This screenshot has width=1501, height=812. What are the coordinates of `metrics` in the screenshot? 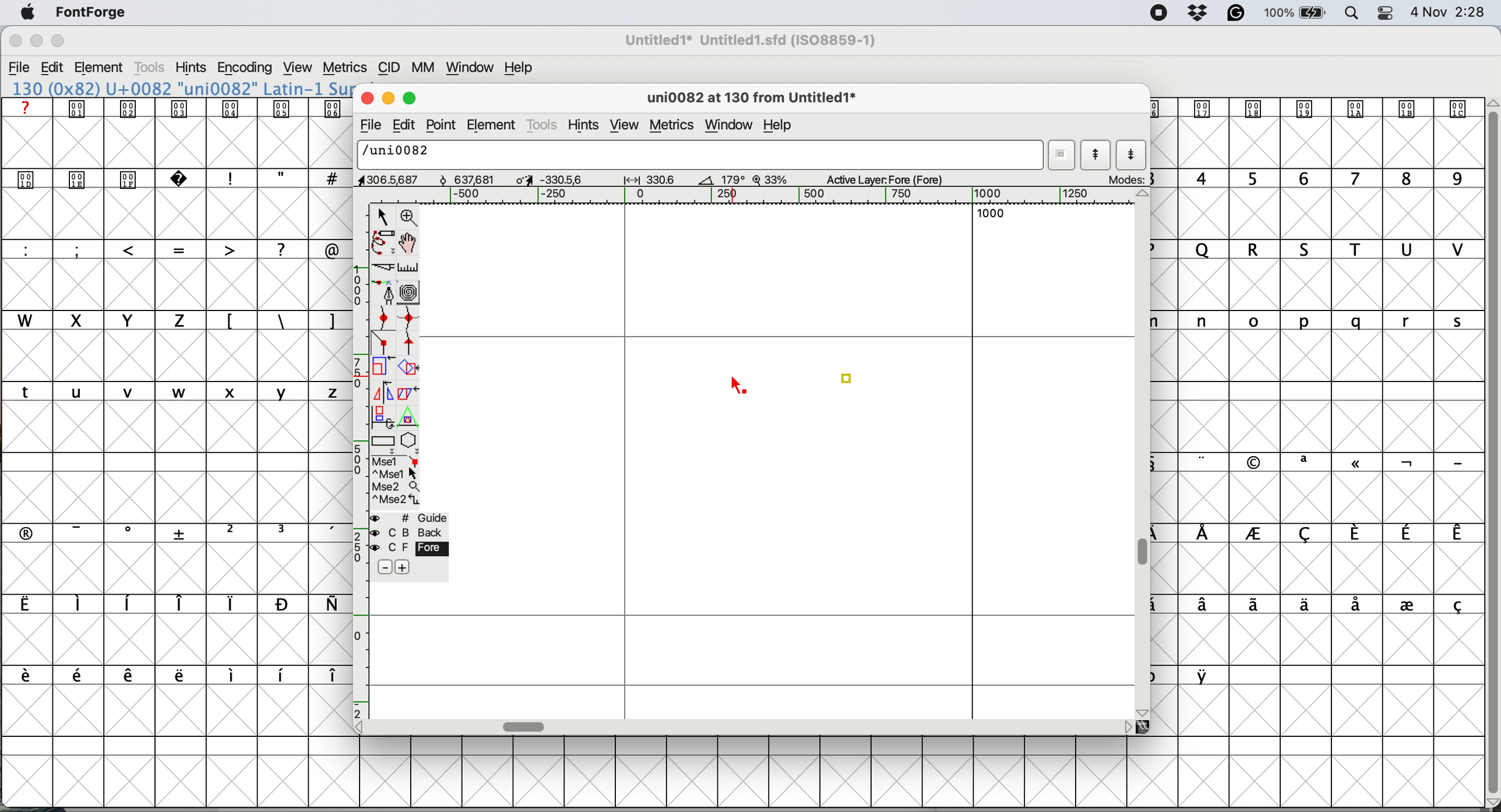 It's located at (344, 68).